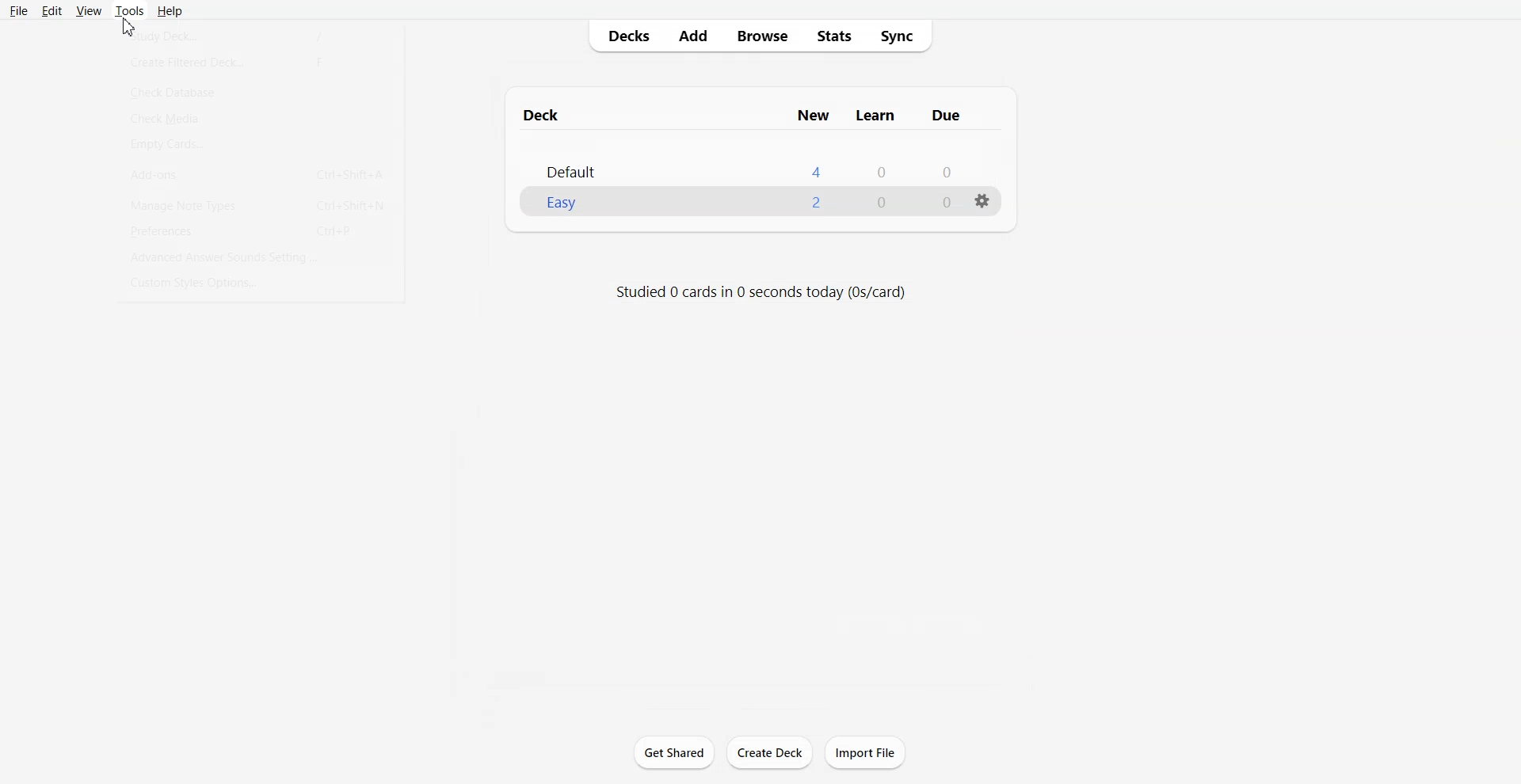  I want to click on deck new learn due, so click(755, 112).